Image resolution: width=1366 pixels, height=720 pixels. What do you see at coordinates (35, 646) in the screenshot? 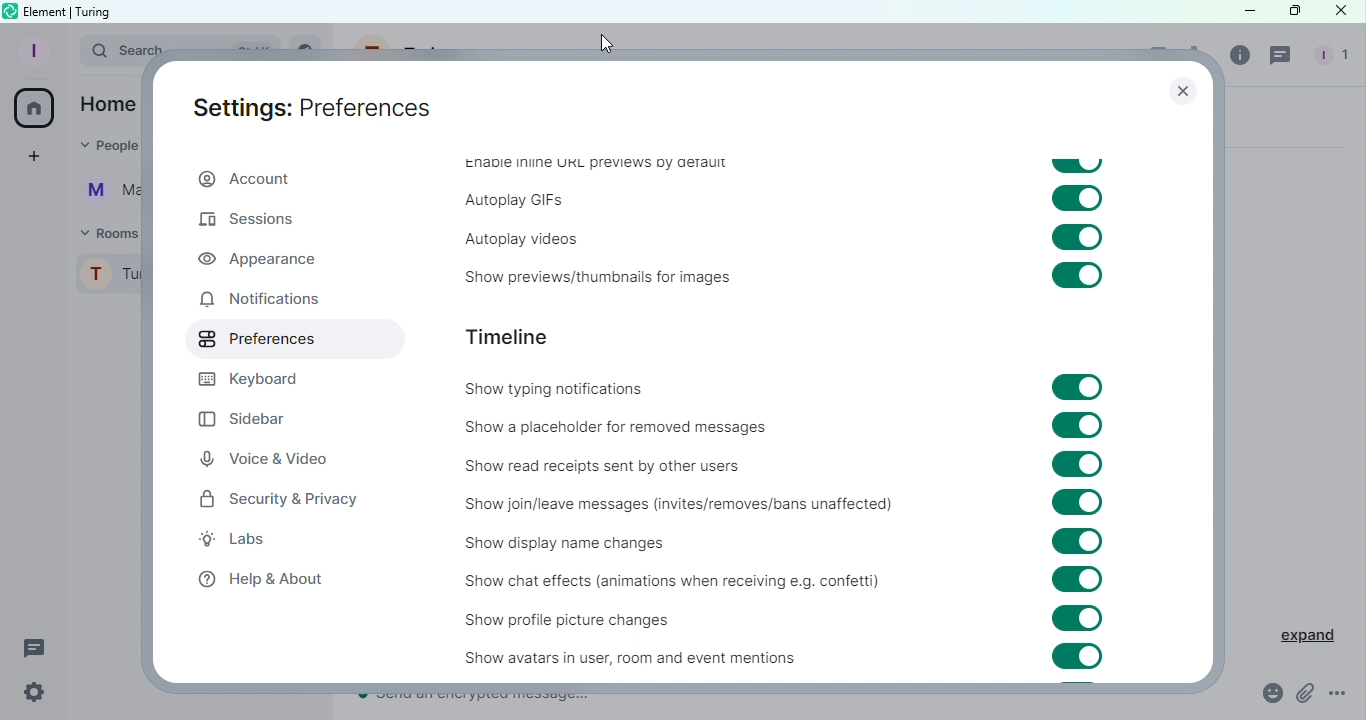
I see `Threads` at bounding box center [35, 646].